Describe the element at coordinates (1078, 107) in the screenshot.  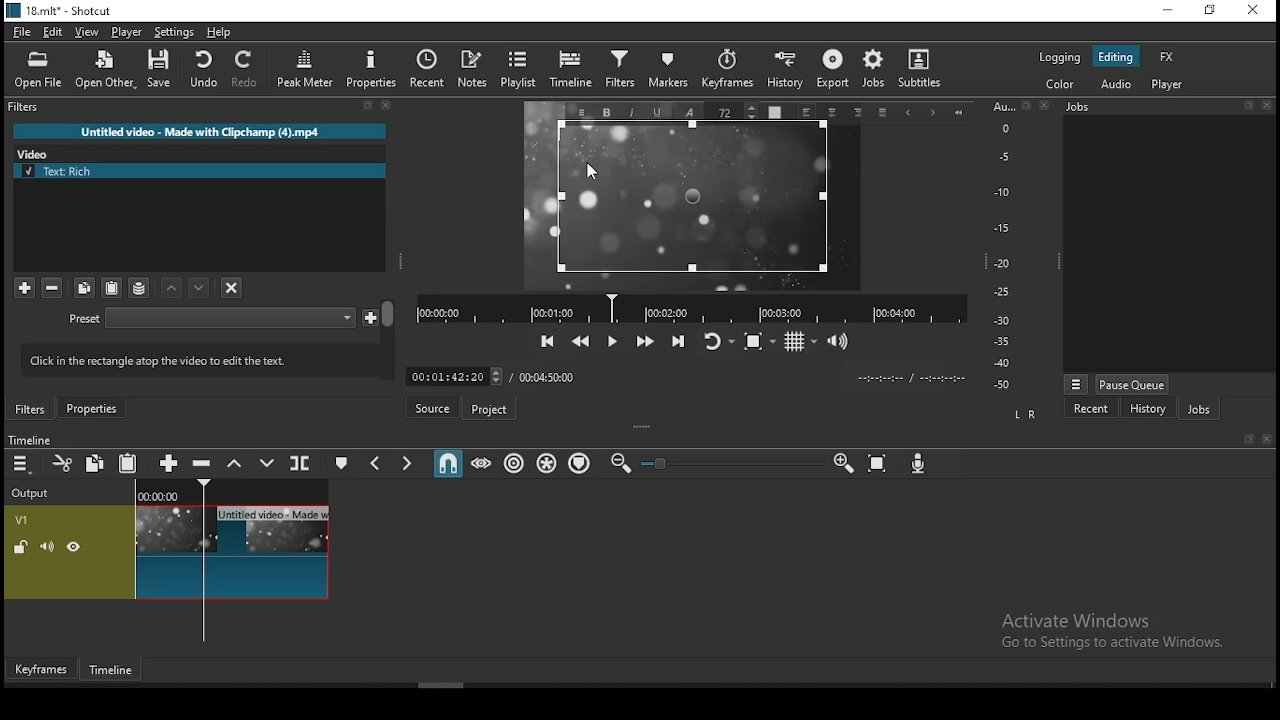
I see `Jobs` at that location.